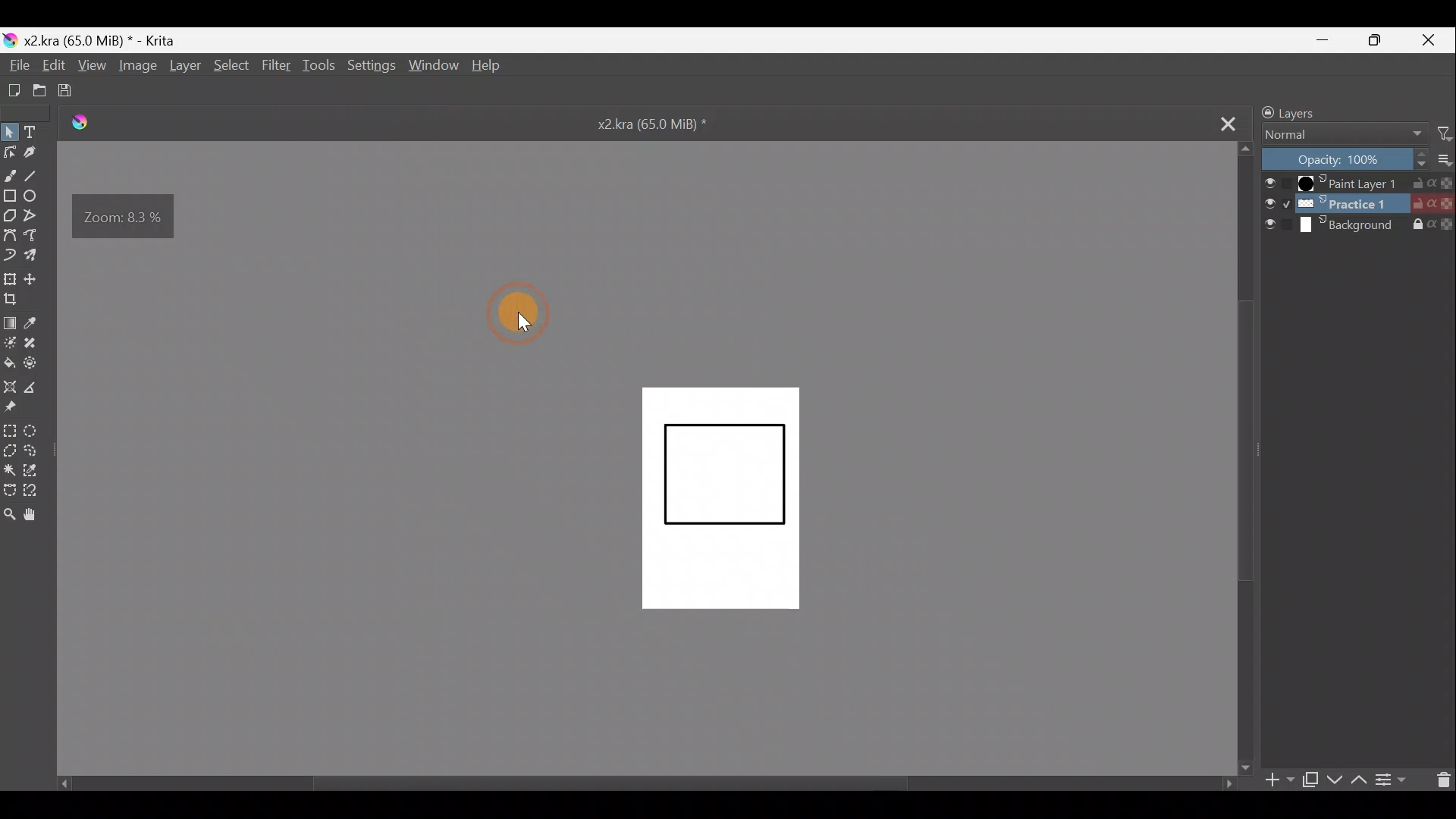 This screenshot has height=819, width=1456. What do you see at coordinates (1358, 184) in the screenshot?
I see `Layer 1` at bounding box center [1358, 184].